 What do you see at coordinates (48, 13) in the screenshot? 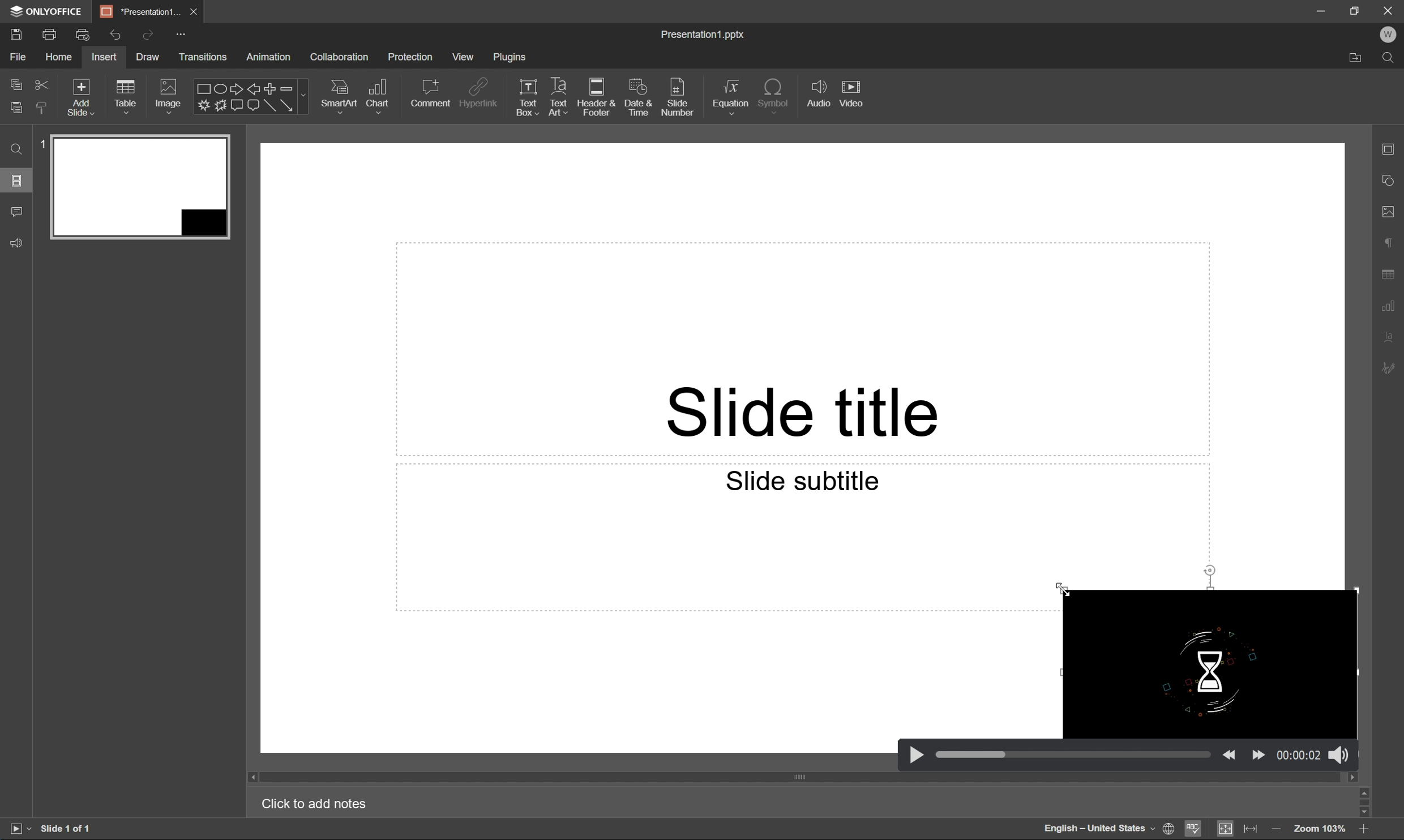
I see `ONLYOFFICE` at bounding box center [48, 13].